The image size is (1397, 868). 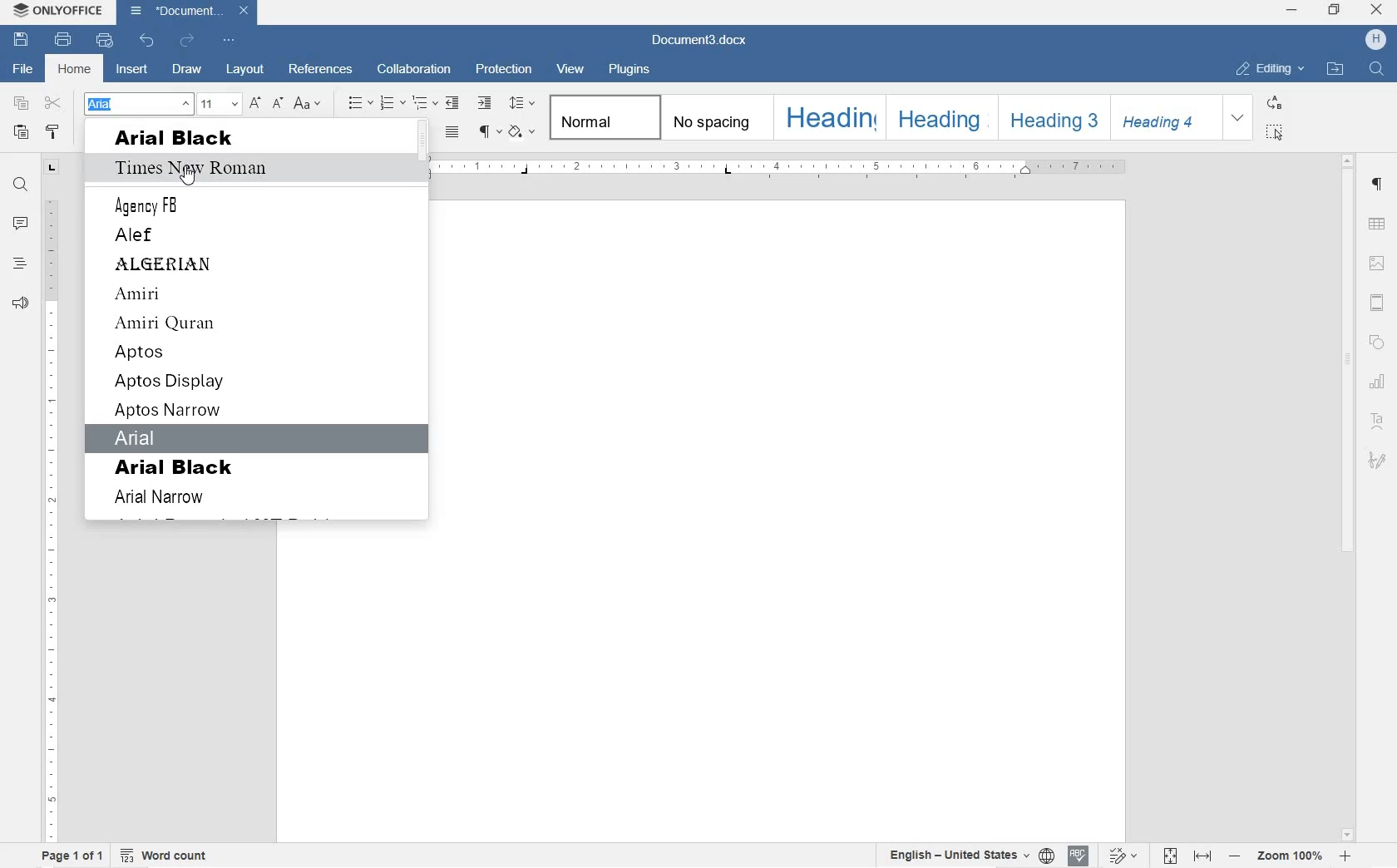 What do you see at coordinates (1276, 103) in the screenshot?
I see `REPLACE` at bounding box center [1276, 103].